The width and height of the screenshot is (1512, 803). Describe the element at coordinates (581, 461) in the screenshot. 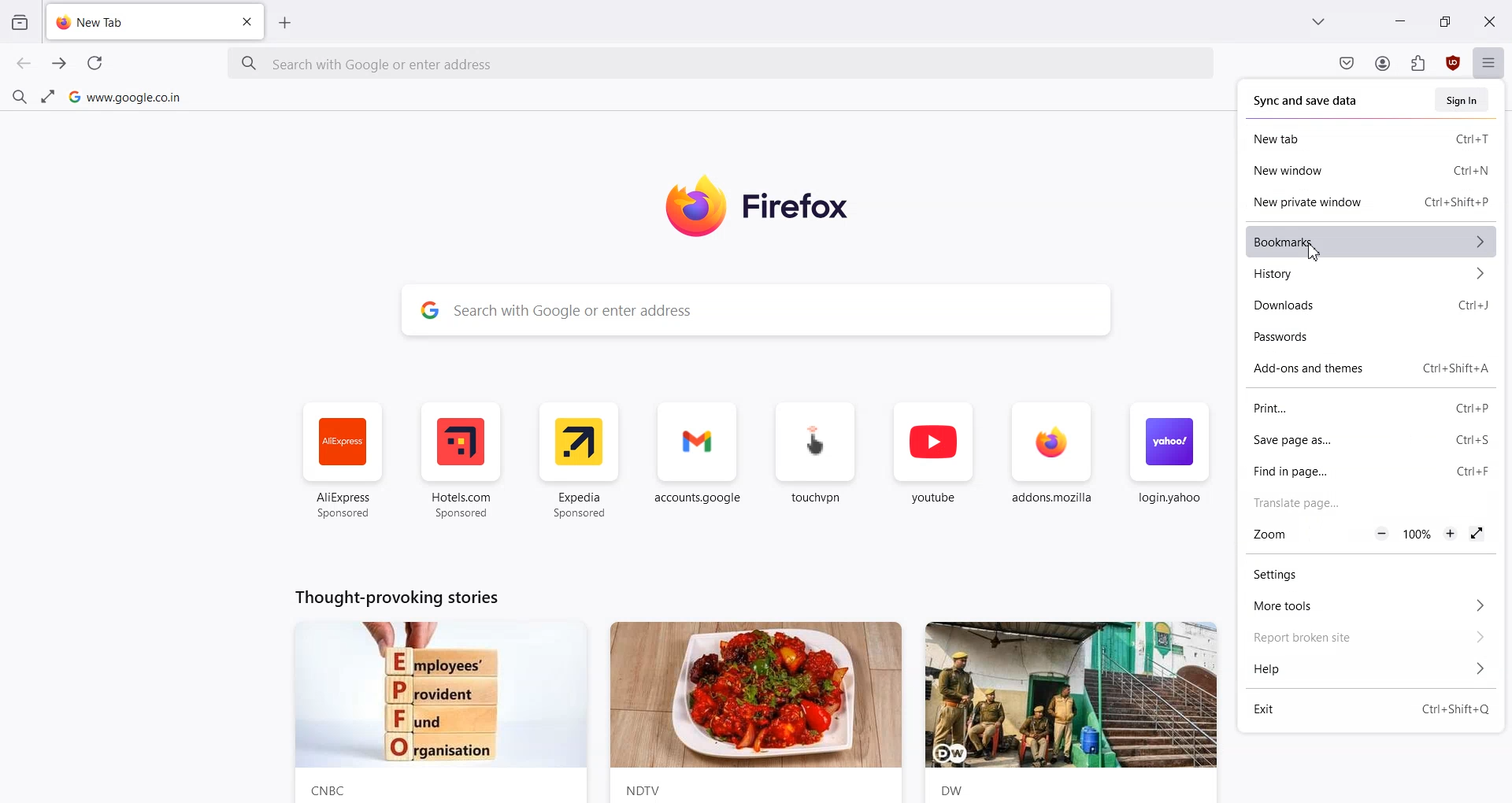

I see `Expedia Sponsored` at that location.